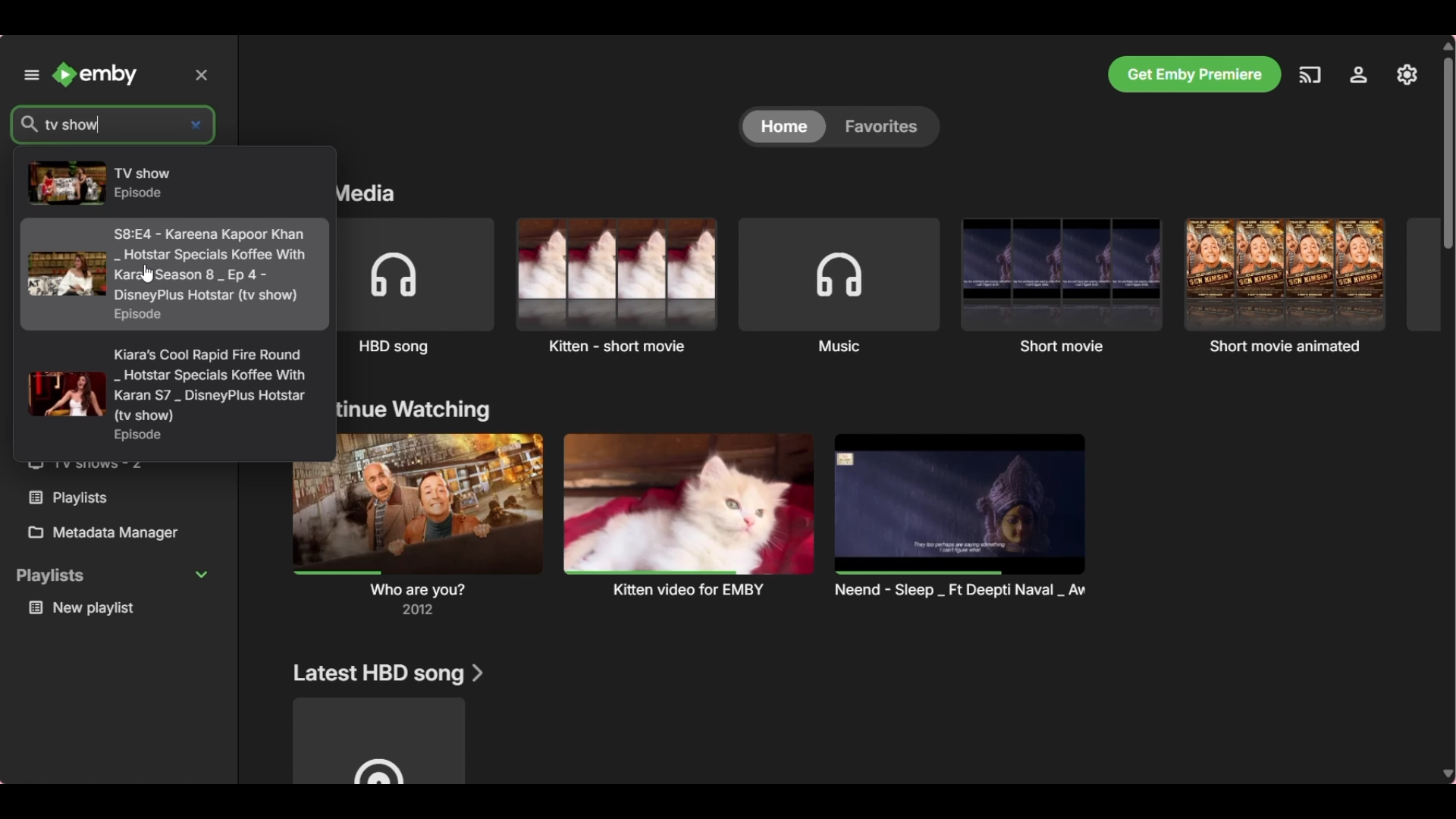  What do you see at coordinates (117, 609) in the screenshot?
I see `Media under playlists` at bounding box center [117, 609].